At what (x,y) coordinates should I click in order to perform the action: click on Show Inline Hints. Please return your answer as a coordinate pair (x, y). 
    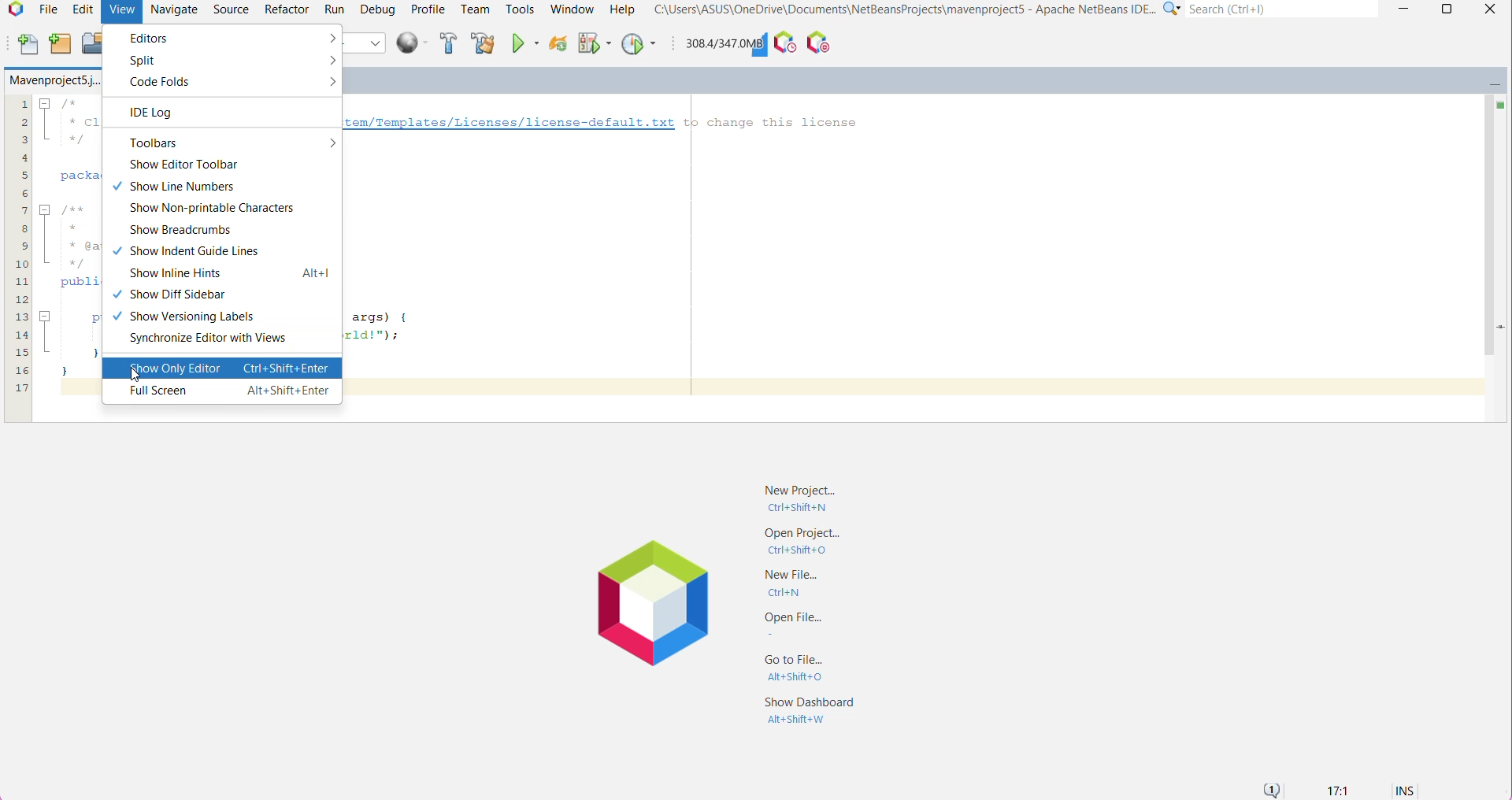
    Looking at the image, I should click on (223, 273).